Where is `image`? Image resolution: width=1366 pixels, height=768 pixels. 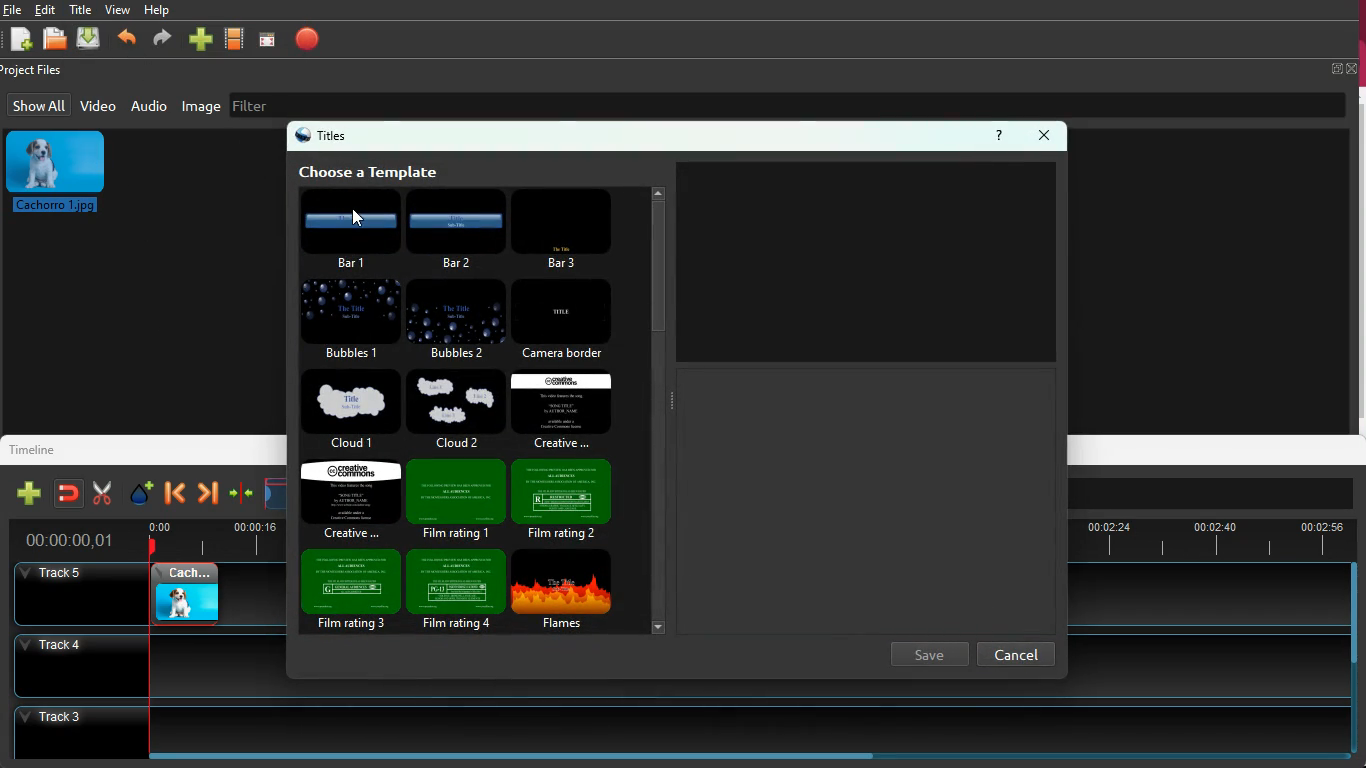
image is located at coordinates (871, 261).